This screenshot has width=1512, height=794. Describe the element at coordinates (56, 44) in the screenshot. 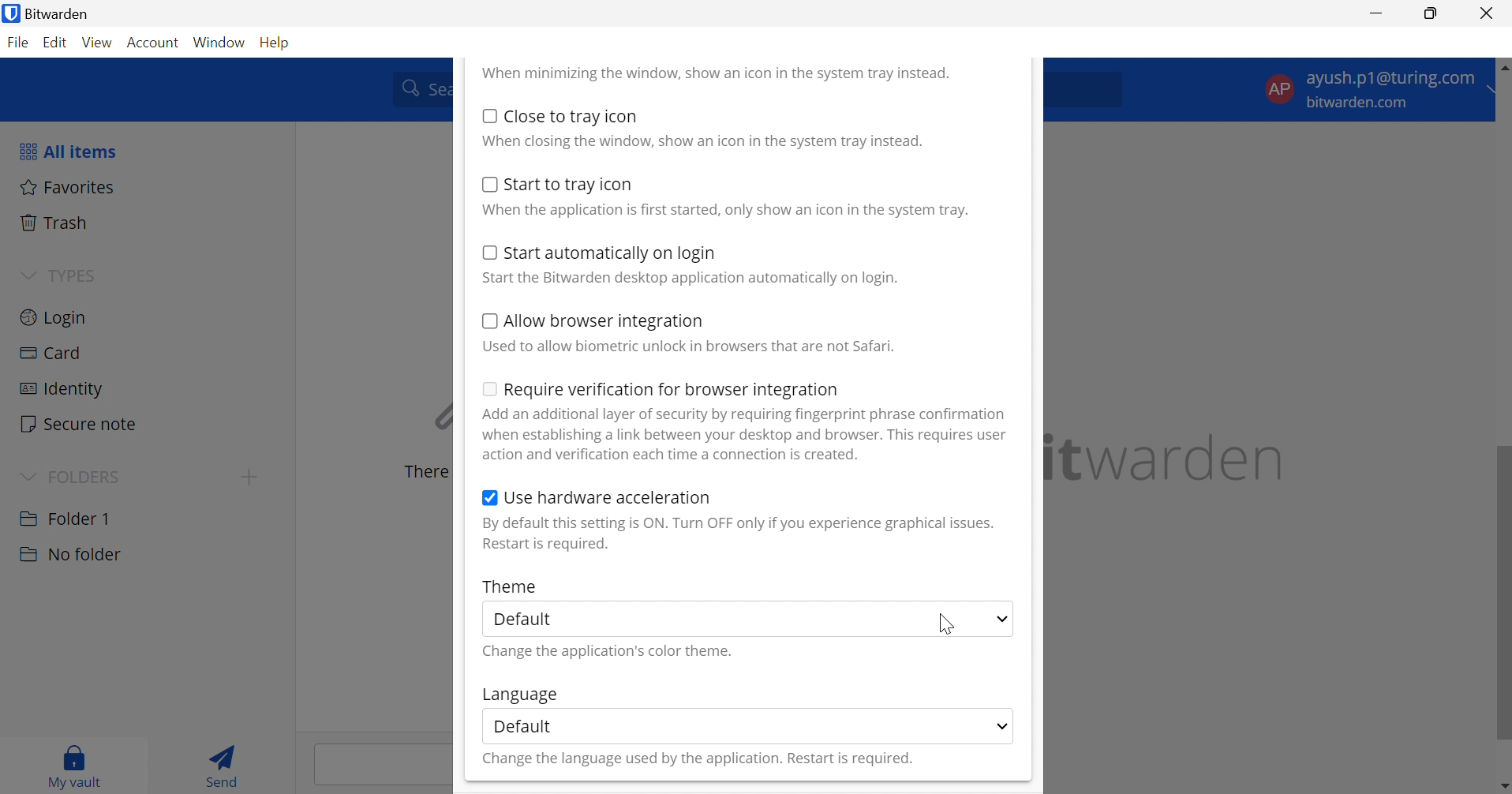

I see `Edit` at that location.